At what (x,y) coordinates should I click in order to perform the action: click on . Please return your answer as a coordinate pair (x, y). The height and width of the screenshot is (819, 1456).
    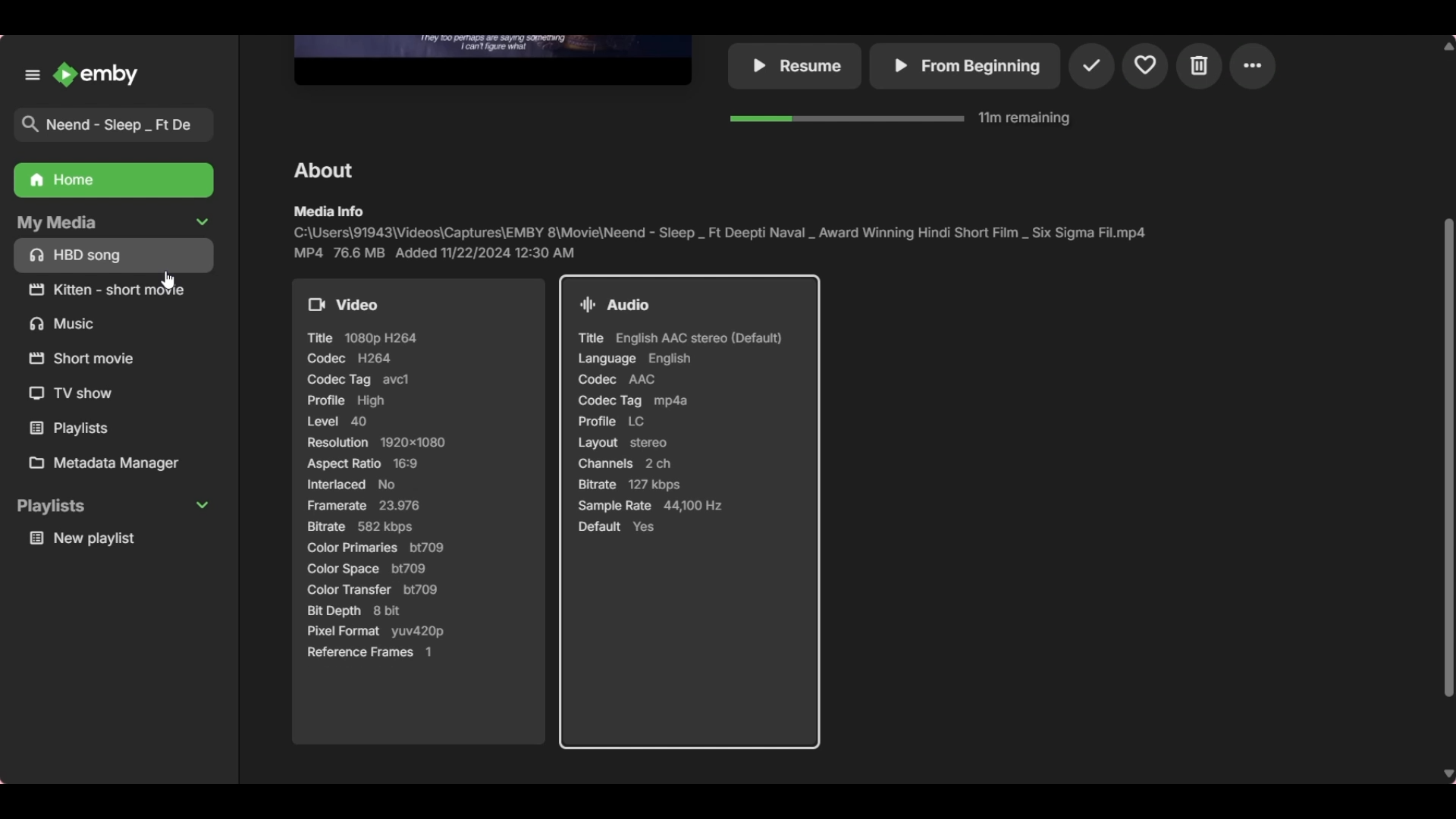
    Looking at the image, I should click on (796, 66).